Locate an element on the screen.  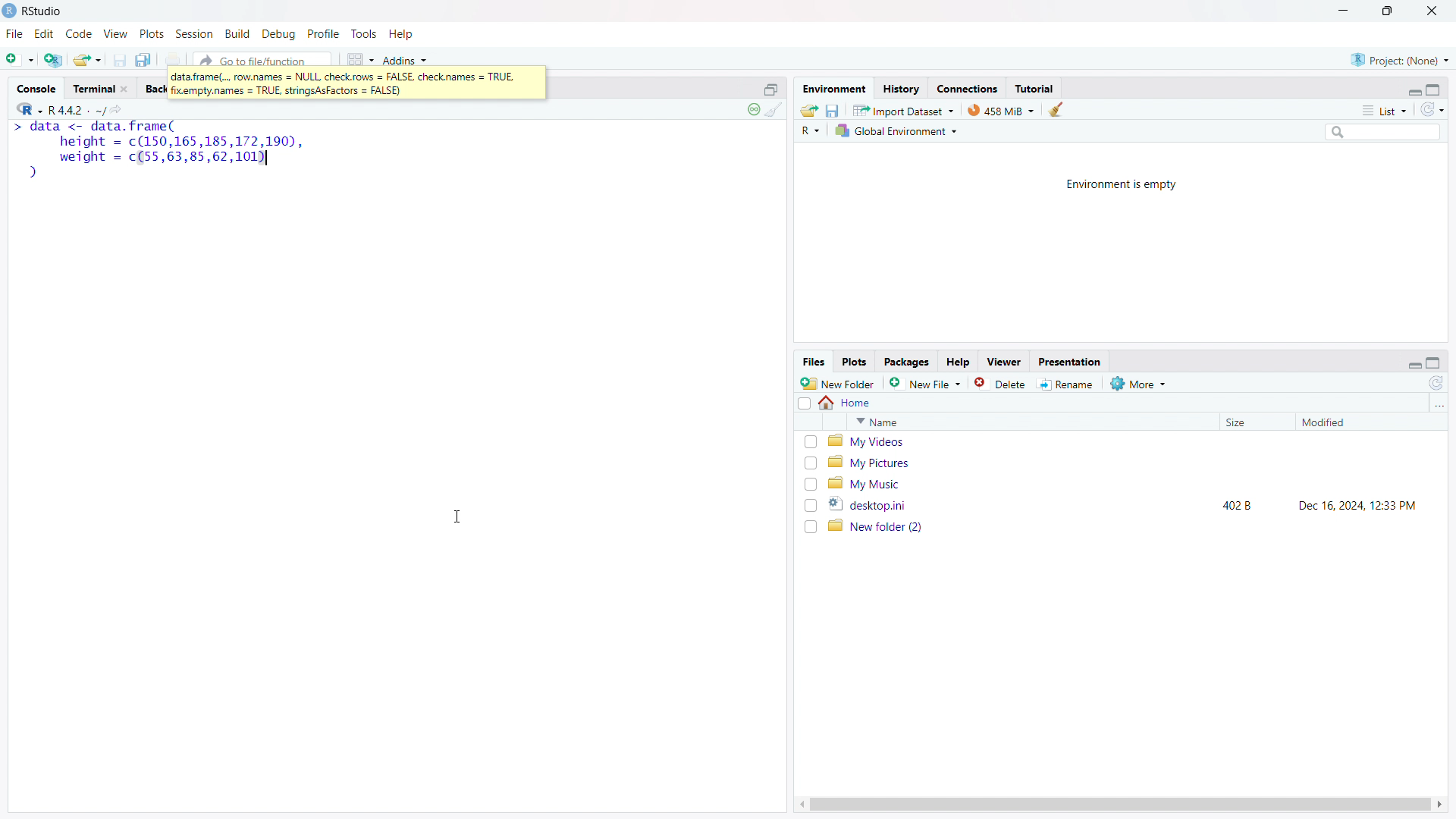
addins is located at coordinates (406, 57).